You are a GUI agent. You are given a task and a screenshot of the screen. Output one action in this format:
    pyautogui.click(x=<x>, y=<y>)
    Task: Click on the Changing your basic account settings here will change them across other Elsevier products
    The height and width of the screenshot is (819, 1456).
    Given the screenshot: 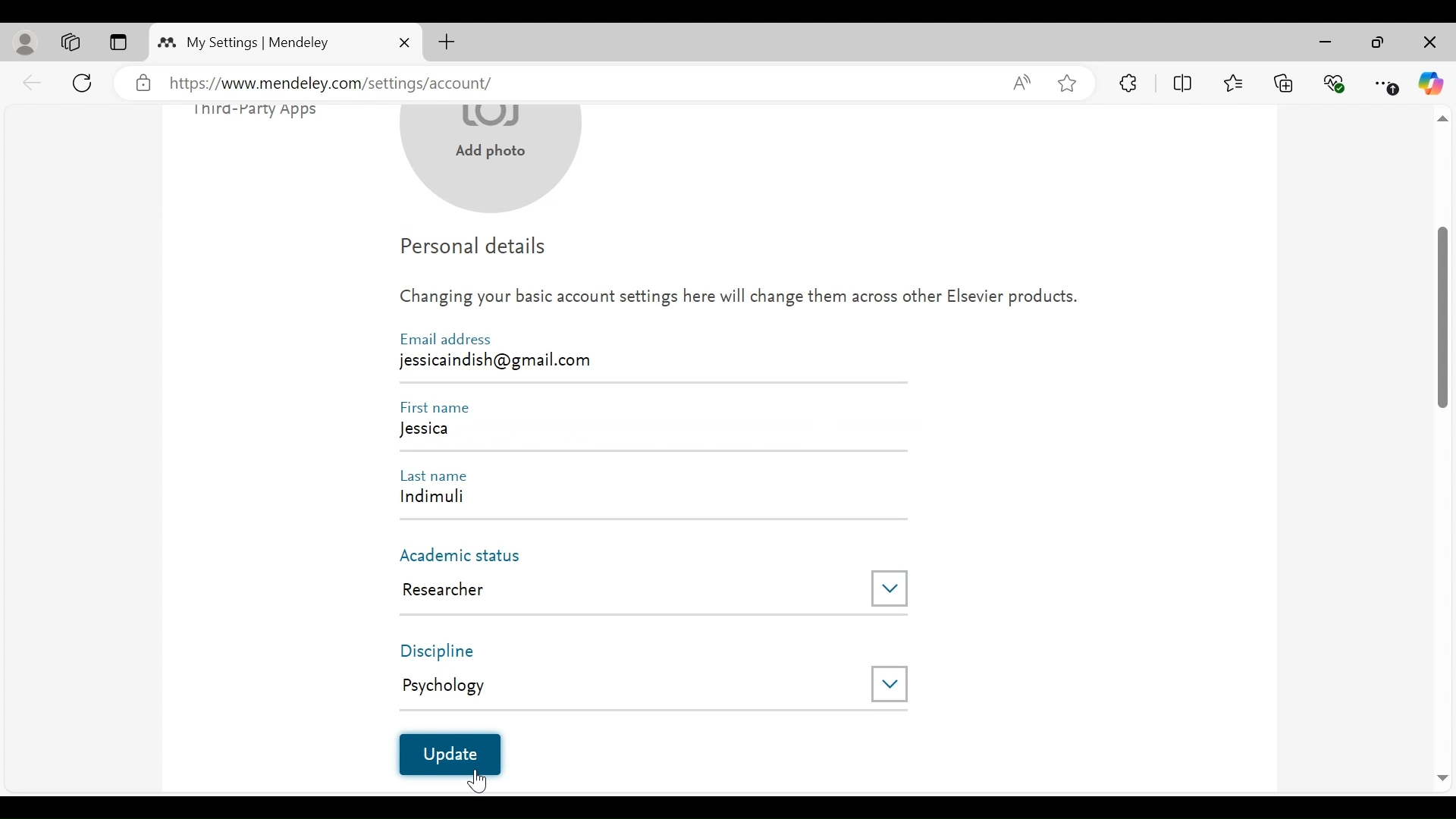 What is the action you would take?
    pyautogui.click(x=739, y=301)
    